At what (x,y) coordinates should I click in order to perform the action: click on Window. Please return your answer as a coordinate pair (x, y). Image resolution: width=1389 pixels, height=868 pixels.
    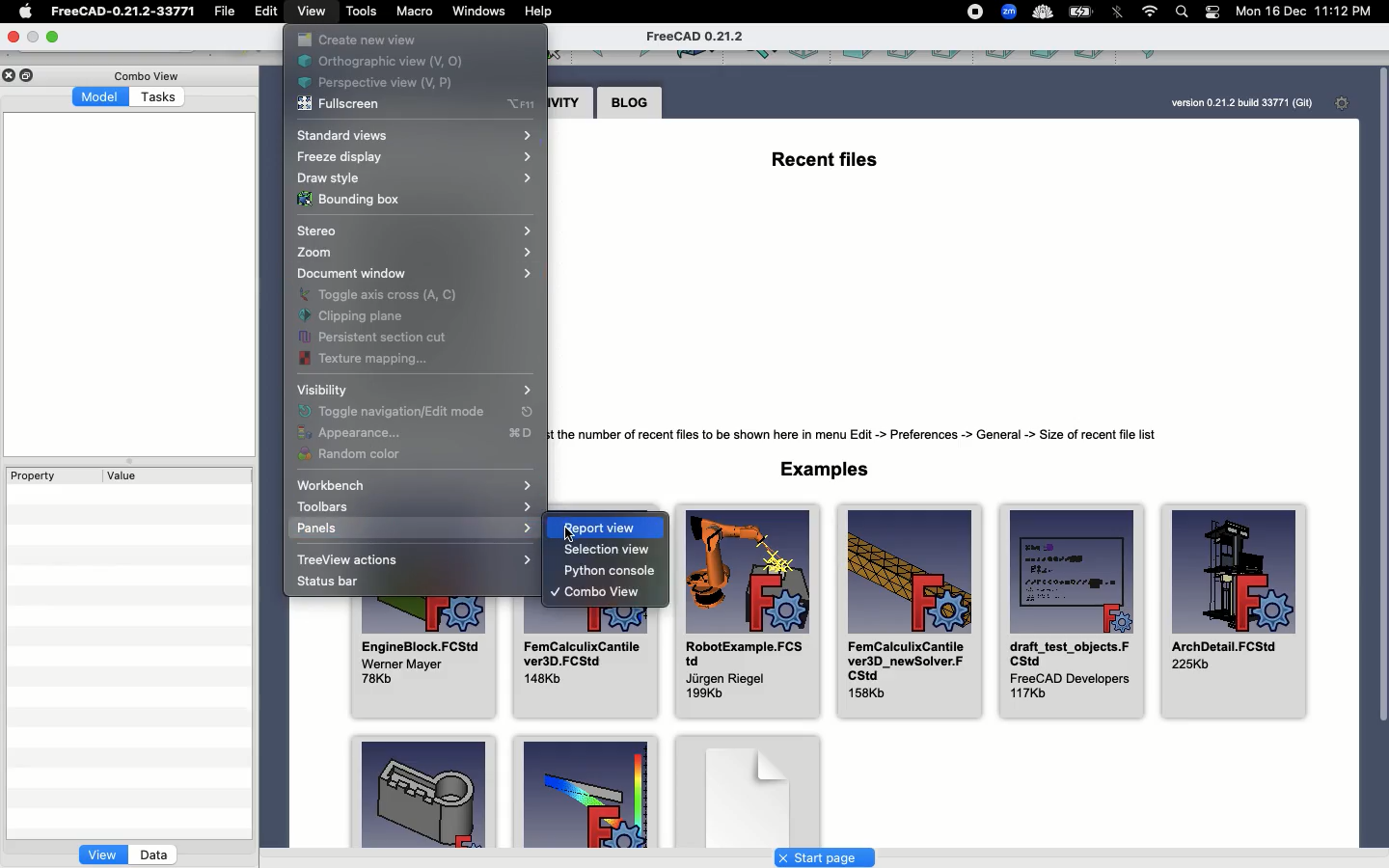
    Looking at the image, I should click on (477, 13).